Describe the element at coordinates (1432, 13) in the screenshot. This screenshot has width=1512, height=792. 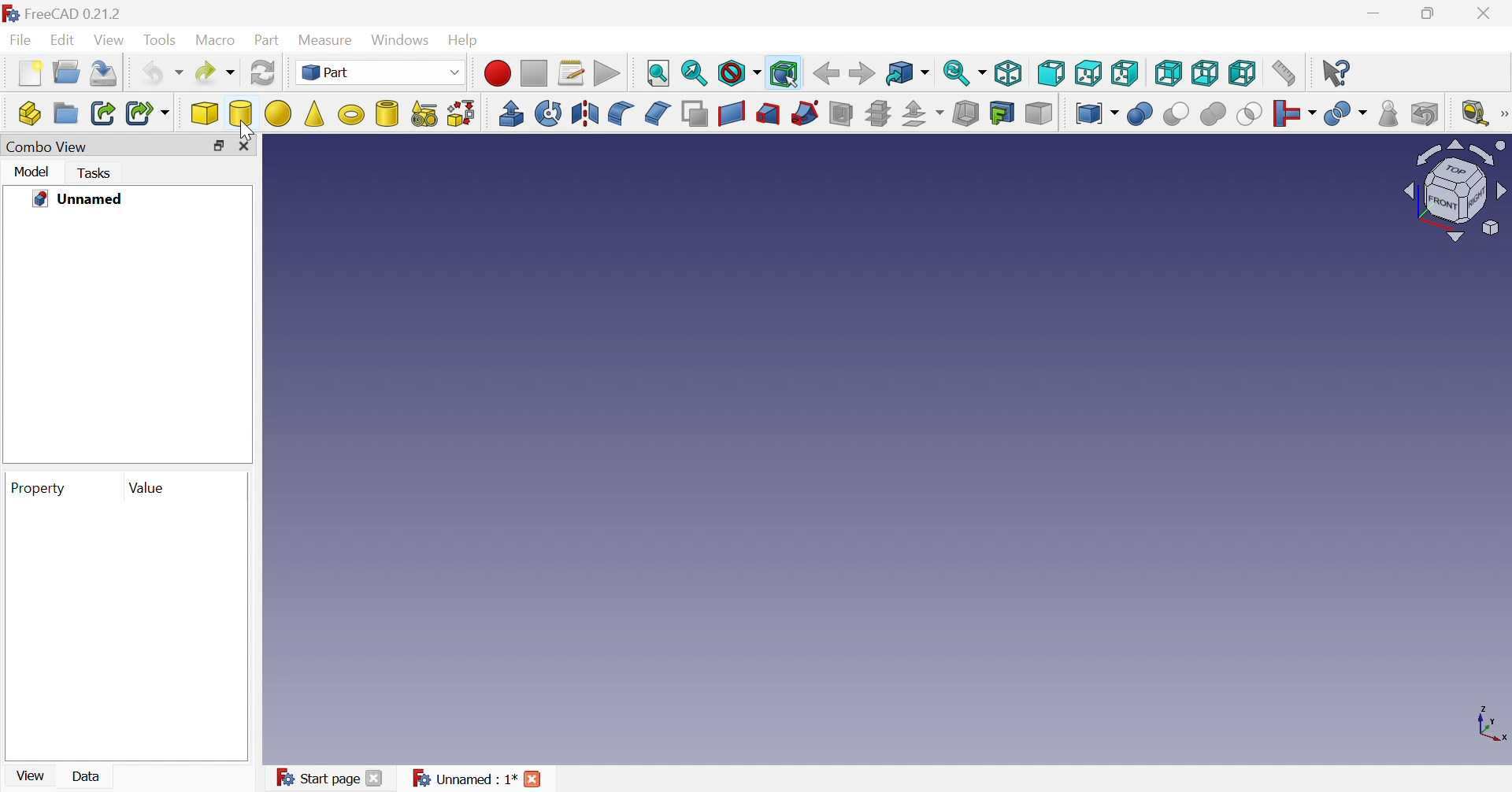
I see `Restore down` at that location.